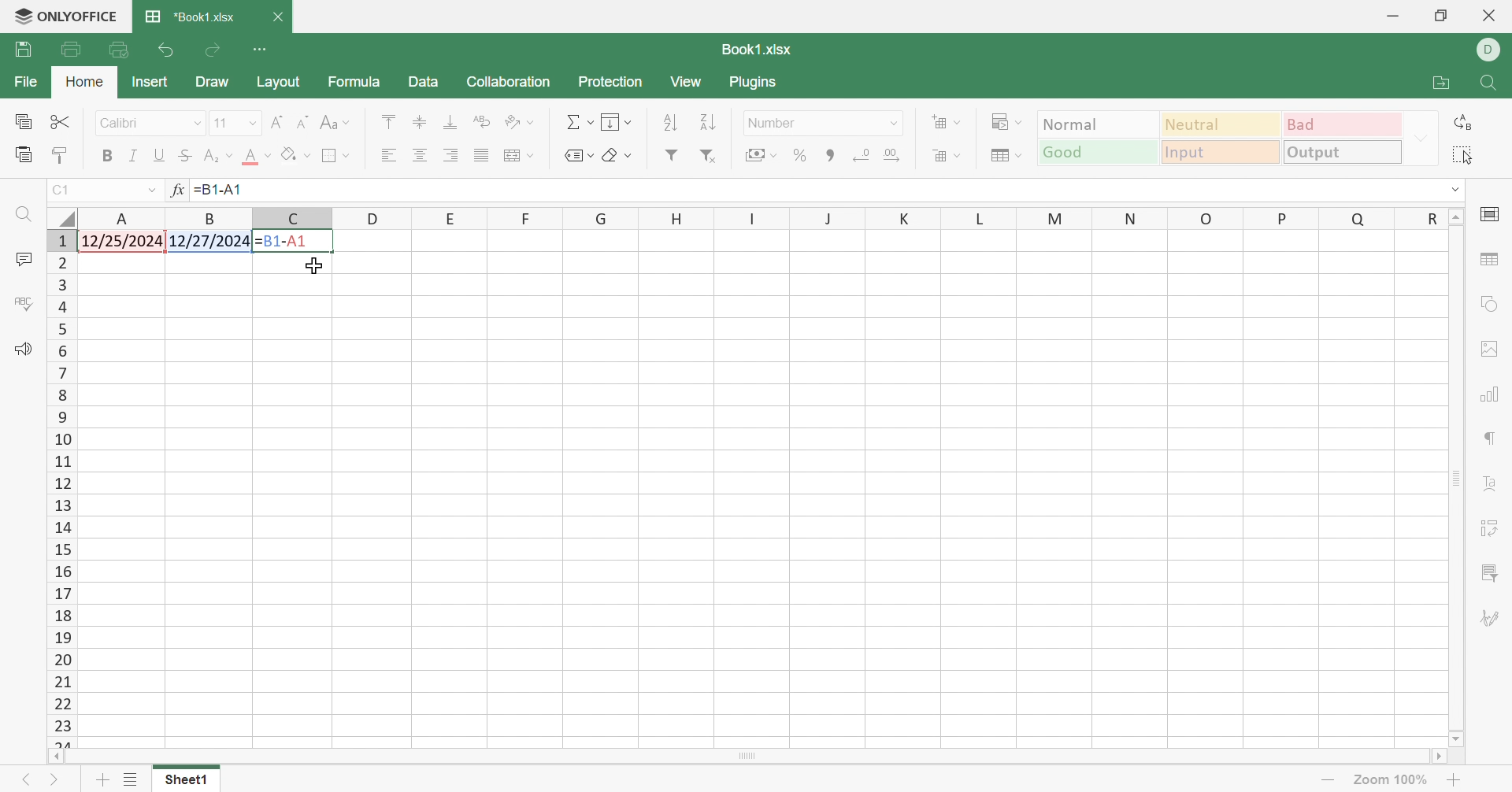 Image resolution: width=1512 pixels, height=792 pixels. I want to click on Print, so click(22, 50).